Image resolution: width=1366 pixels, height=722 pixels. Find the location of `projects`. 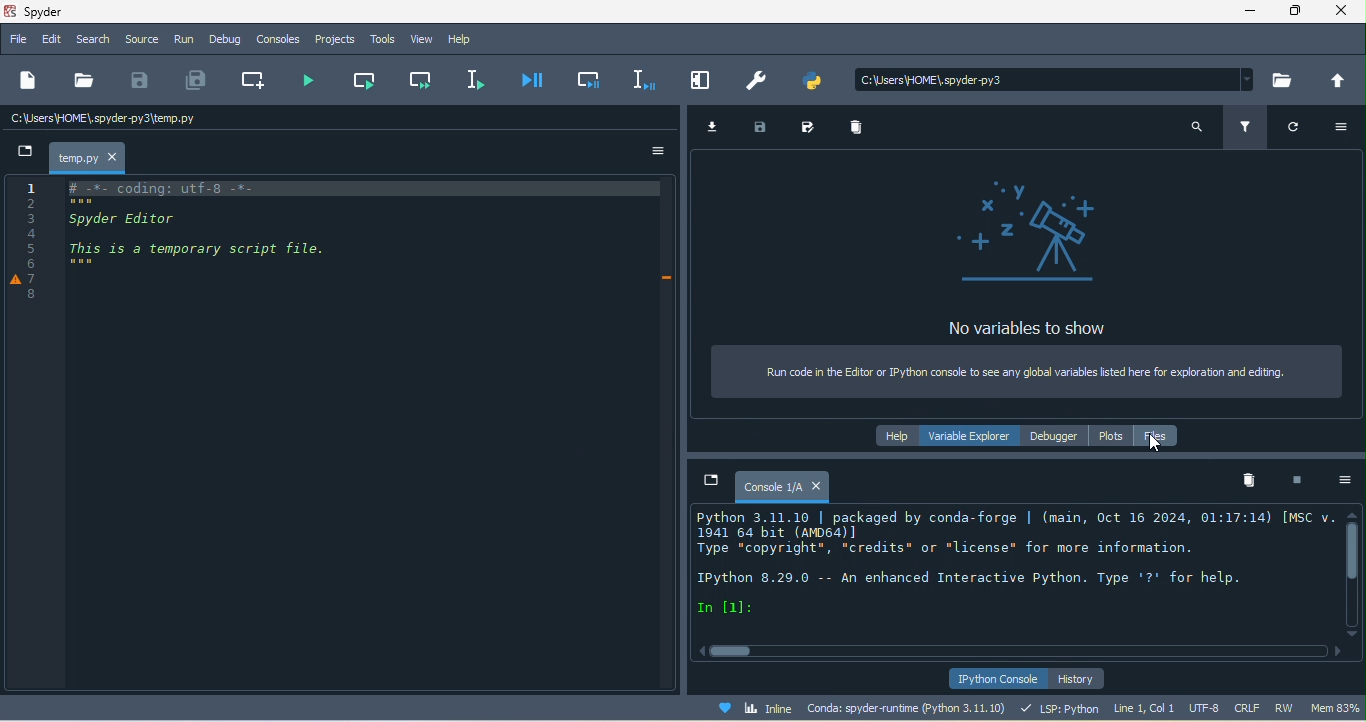

projects is located at coordinates (333, 40).